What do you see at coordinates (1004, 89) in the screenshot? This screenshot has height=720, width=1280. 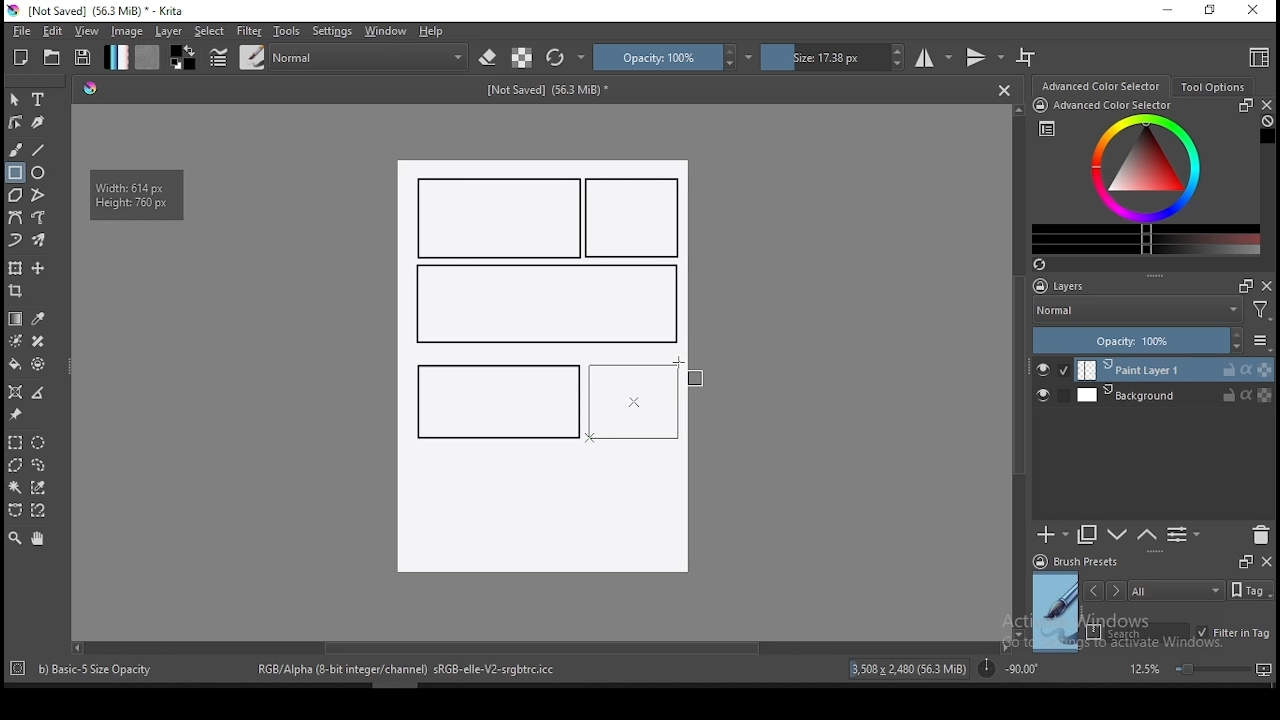 I see `Close` at bounding box center [1004, 89].